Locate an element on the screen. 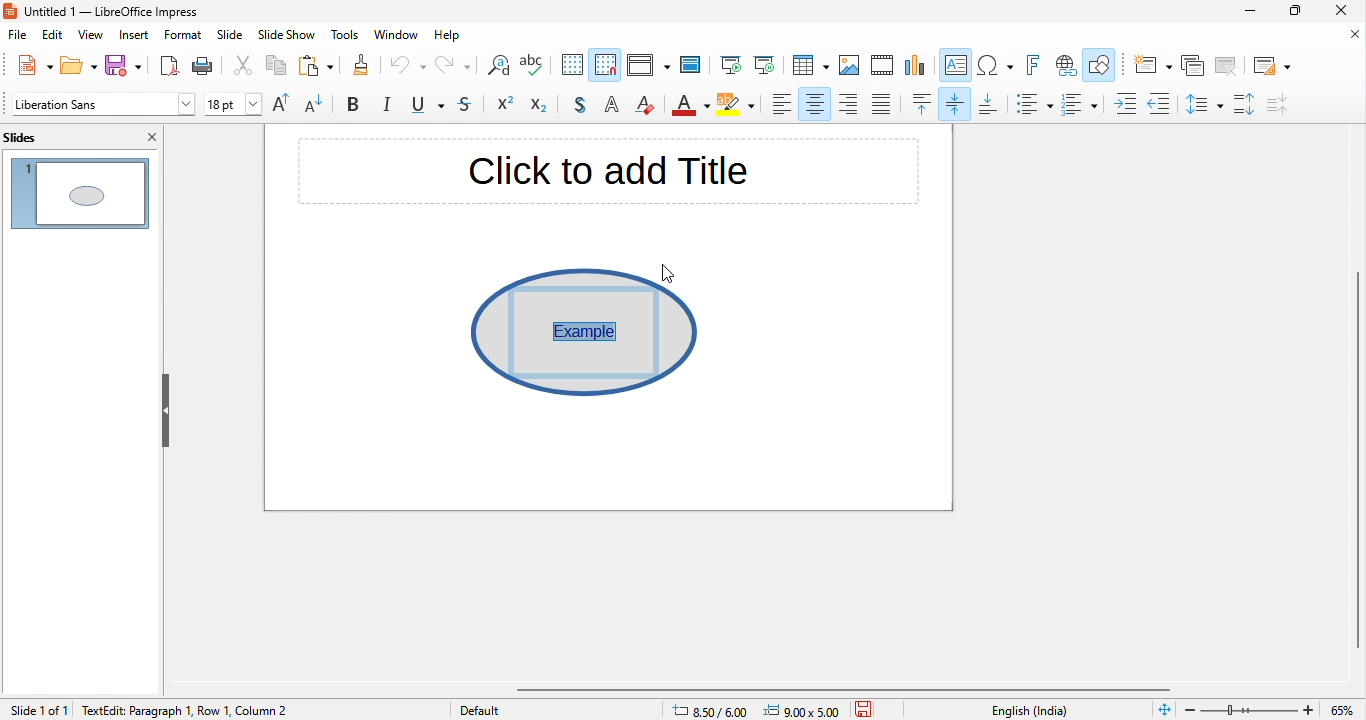 Image resolution: width=1366 pixels, height=720 pixels. special character is located at coordinates (996, 66).